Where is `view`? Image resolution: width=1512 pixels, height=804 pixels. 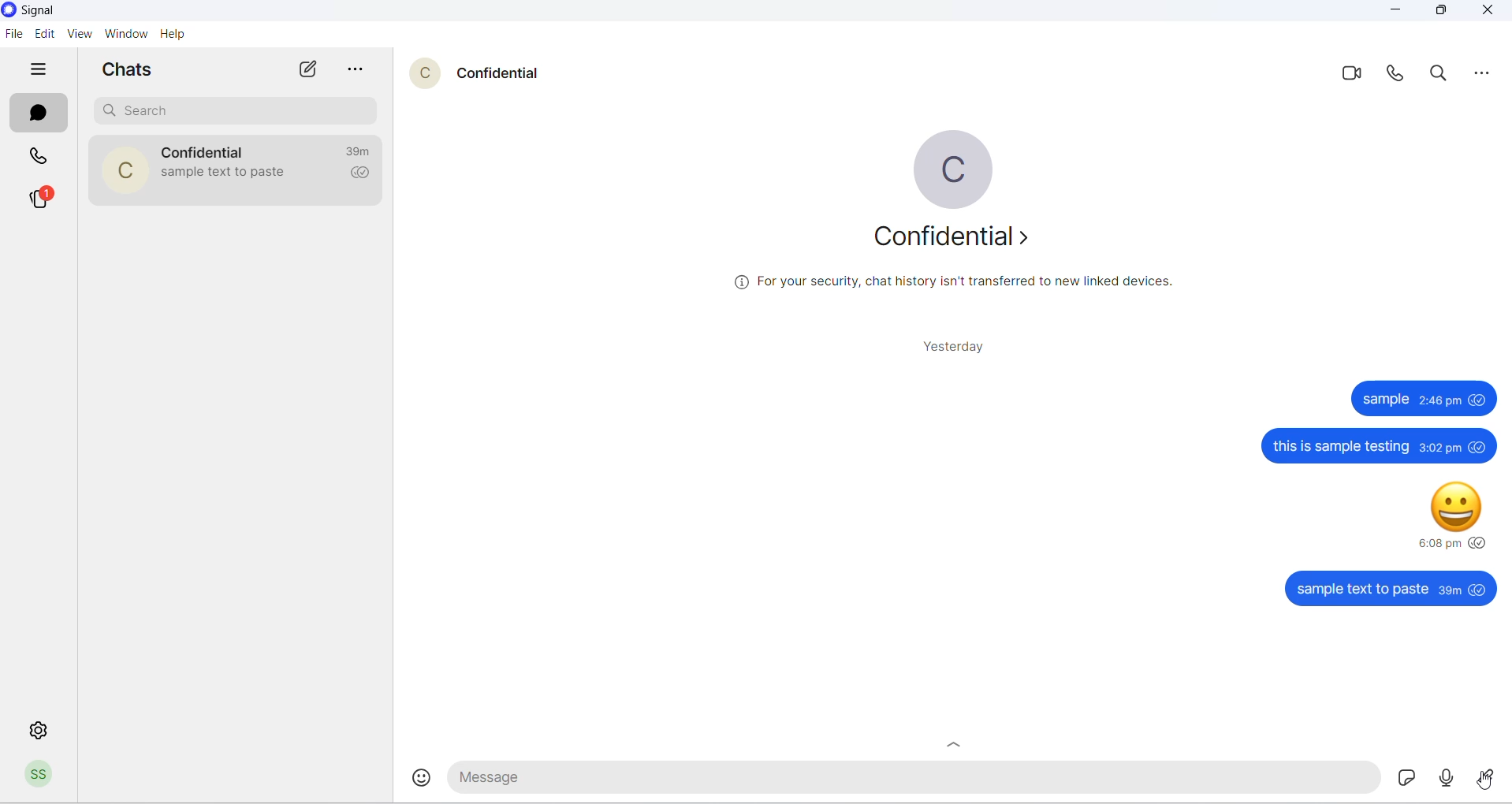 view is located at coordinates (77, 35).